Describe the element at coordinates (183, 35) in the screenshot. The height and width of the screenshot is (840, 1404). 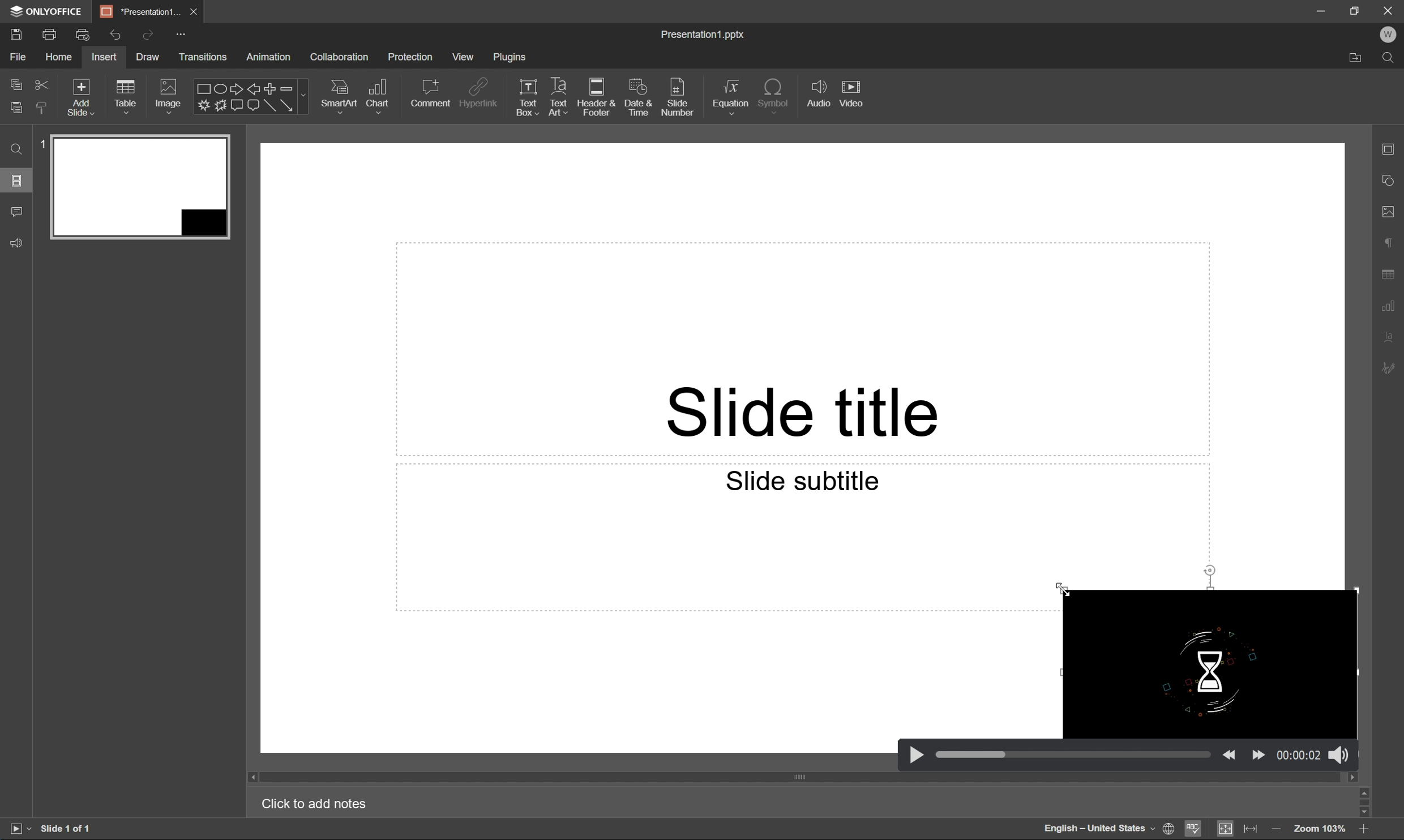
I see `customize quick access toolbar` at that location.